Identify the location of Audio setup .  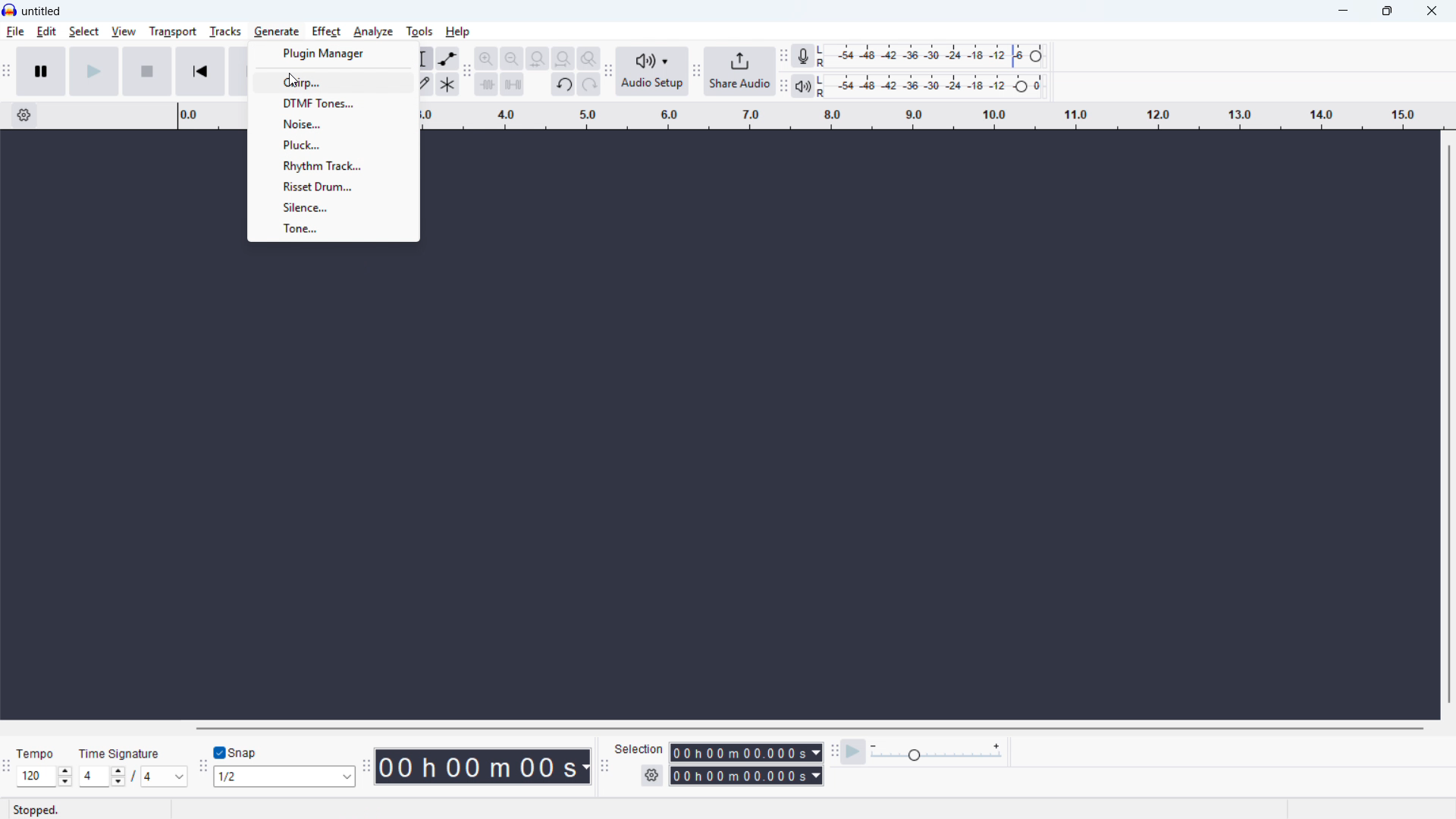
(654, 71).